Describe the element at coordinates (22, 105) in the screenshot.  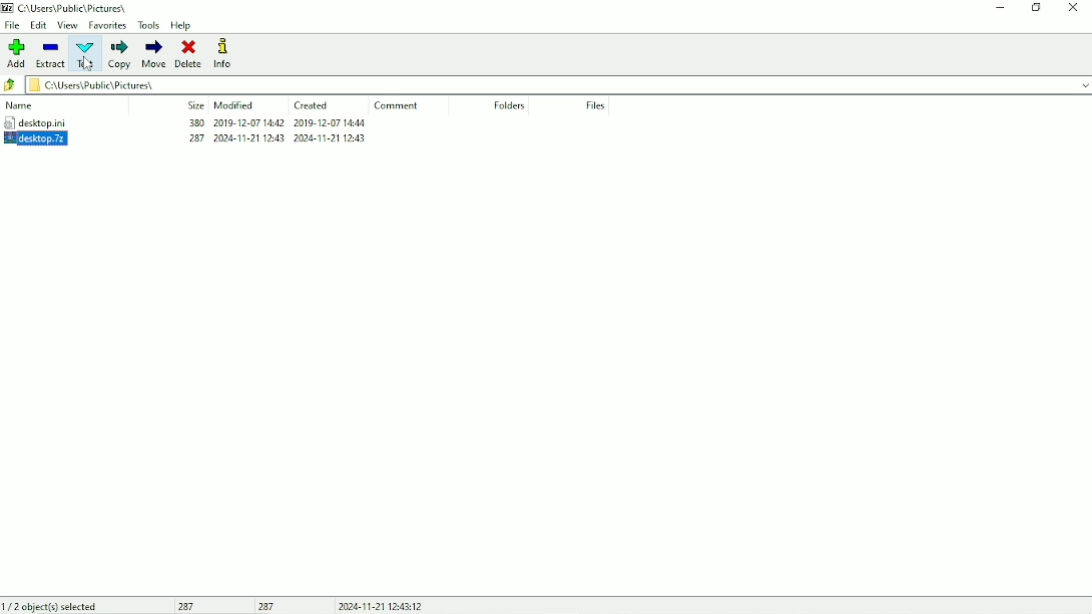
I see `Name` at that location.